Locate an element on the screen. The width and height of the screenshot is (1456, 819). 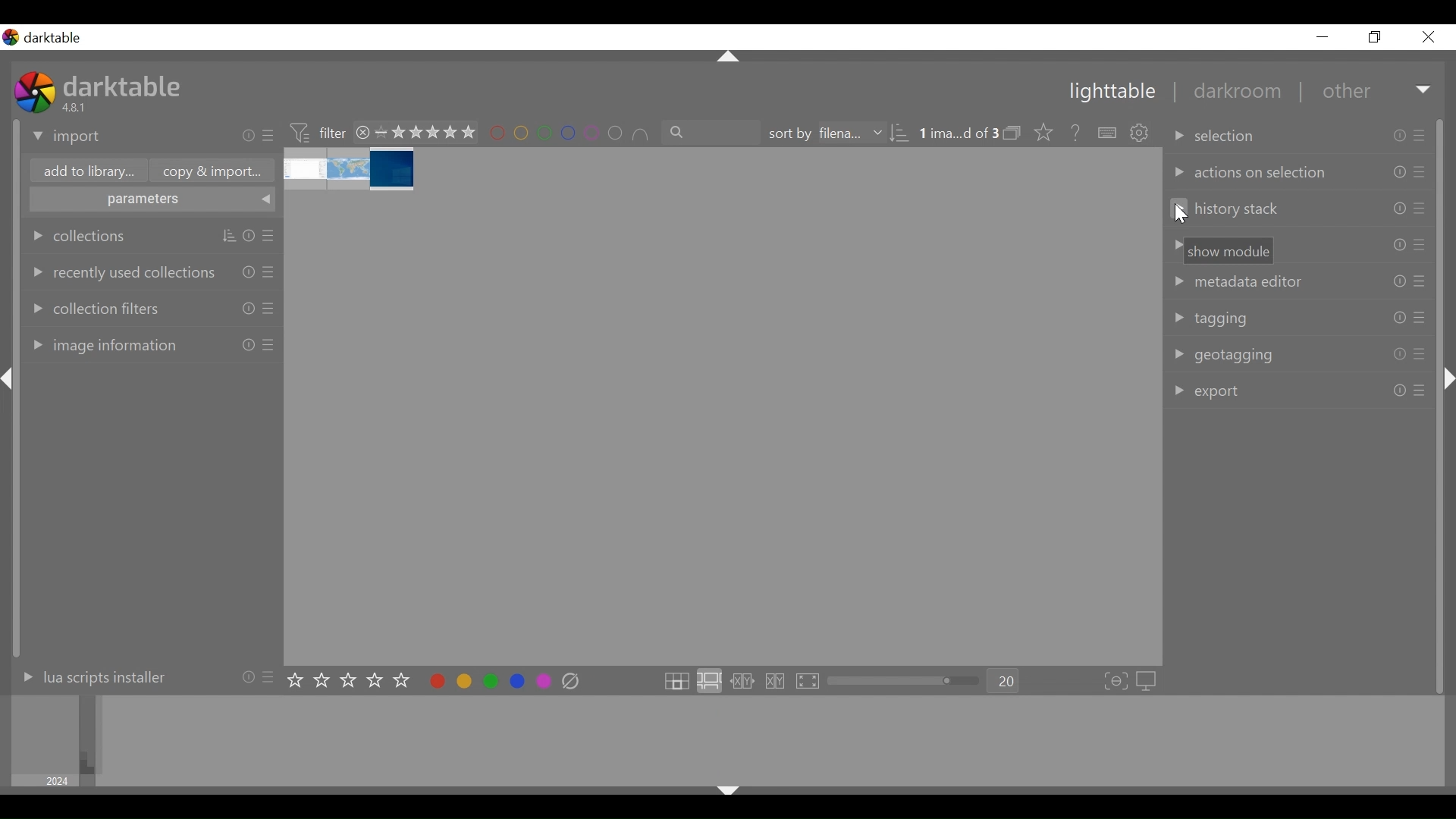
Collapse  is located at coordinates (1450, 379).